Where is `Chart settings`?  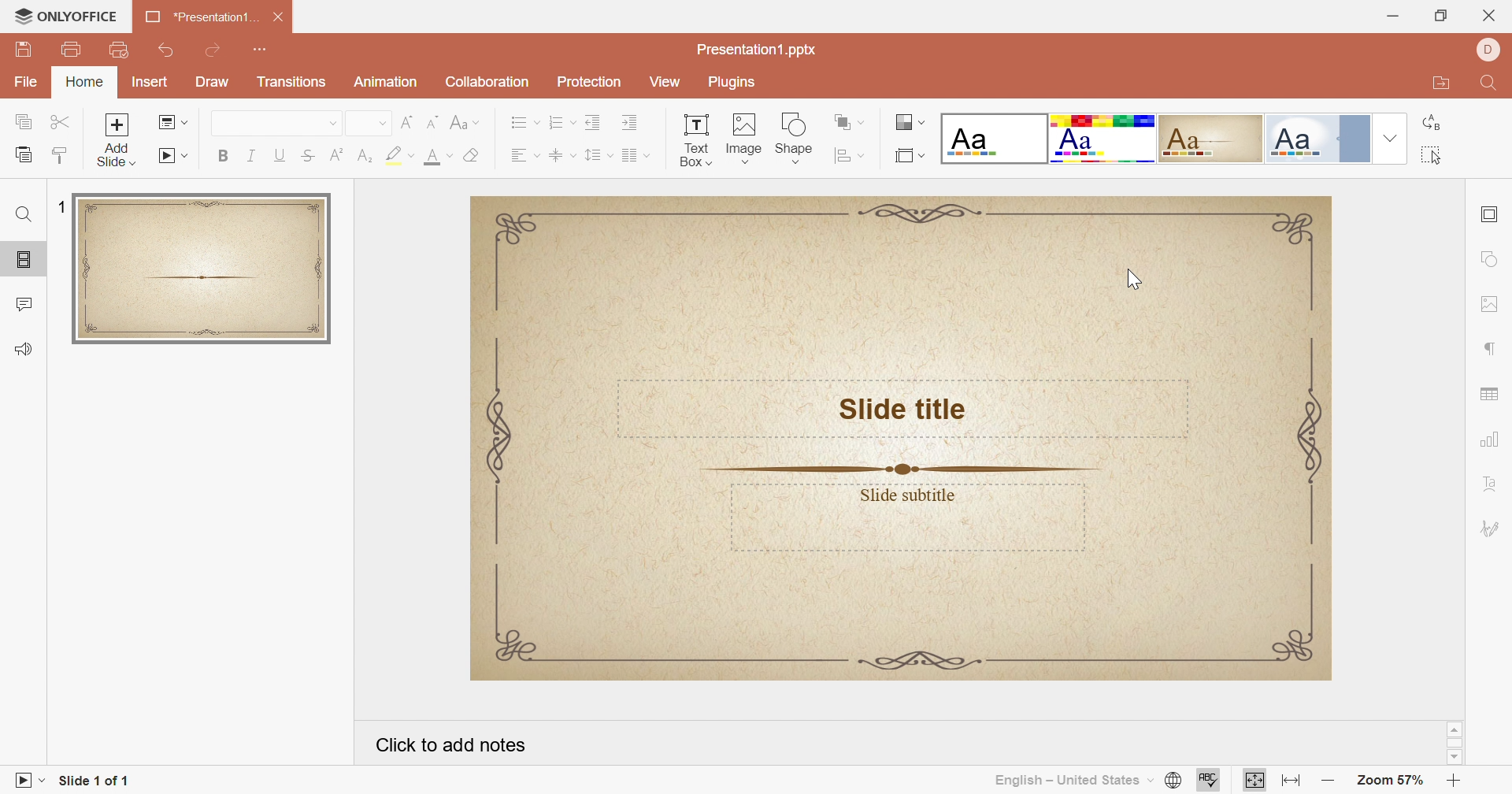
Chart settings is located at coordinates (1492, 441).